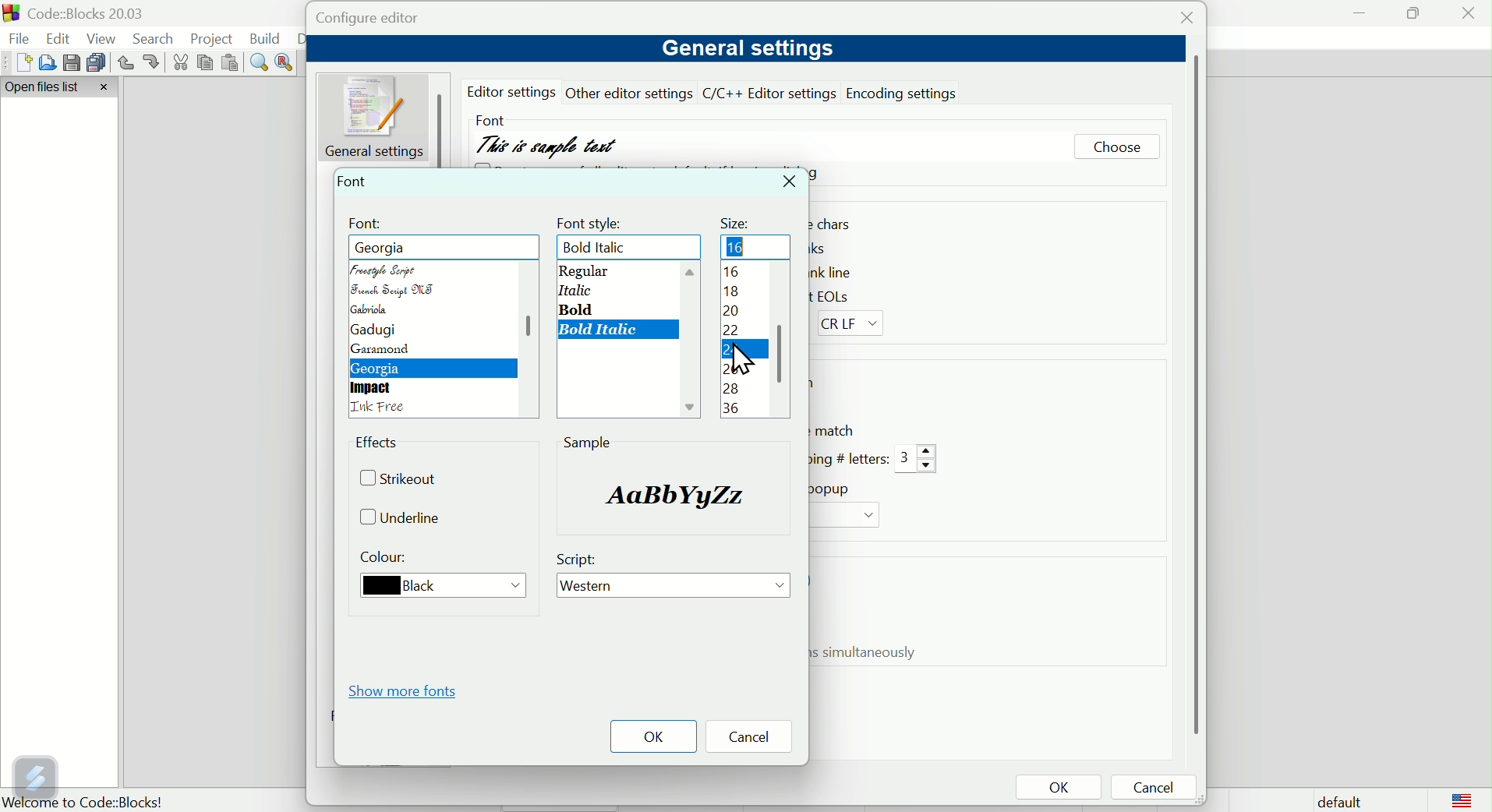 This screenshot has width=1492, height=812. What do you see at coordinates (408, 690) in the screenshot?
I see `Show More fonts` at bounding box center [408, 690].